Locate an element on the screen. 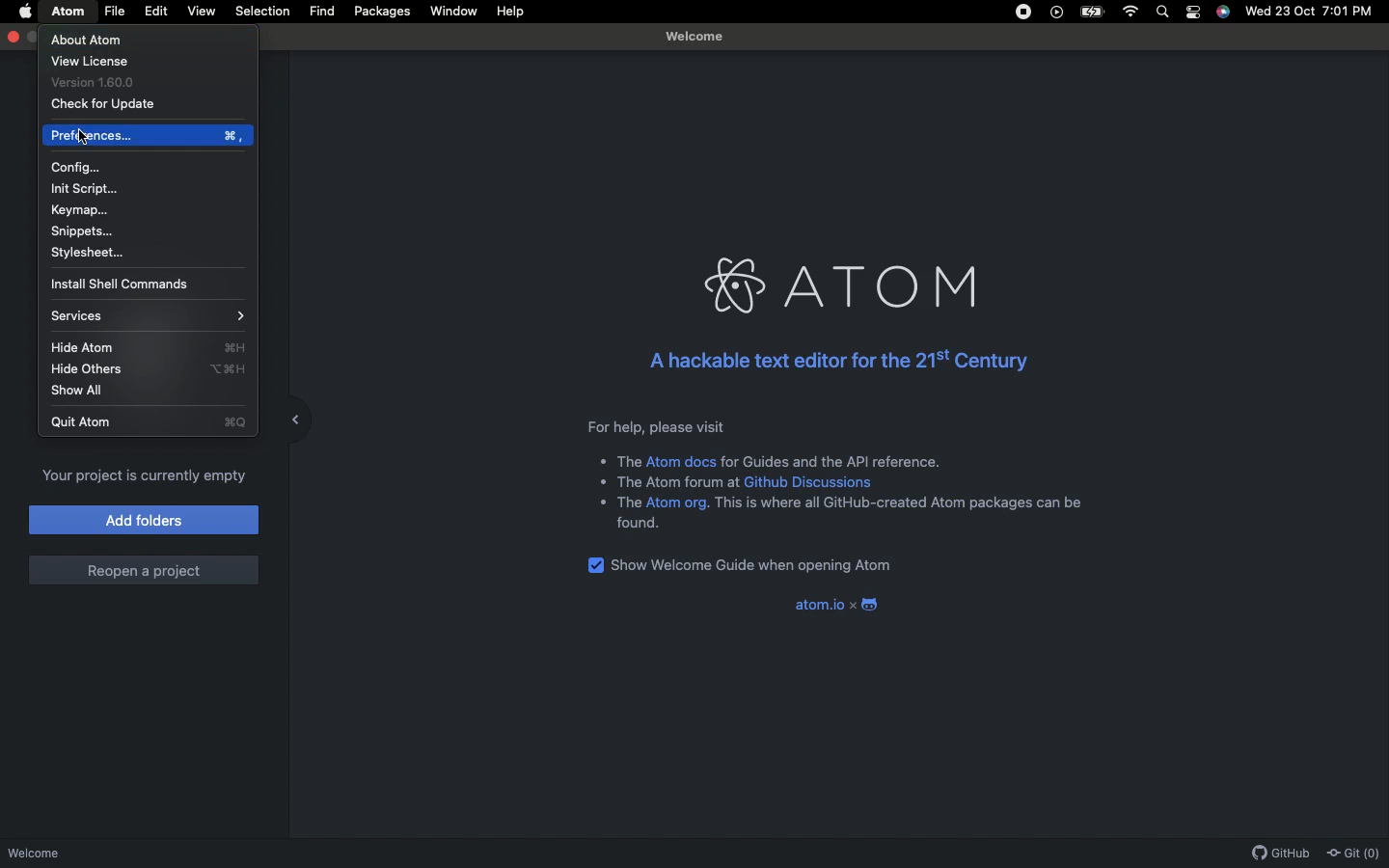 The height and width of the screenshot is (868, 1389). Preference is located at coordinates (146, 136).